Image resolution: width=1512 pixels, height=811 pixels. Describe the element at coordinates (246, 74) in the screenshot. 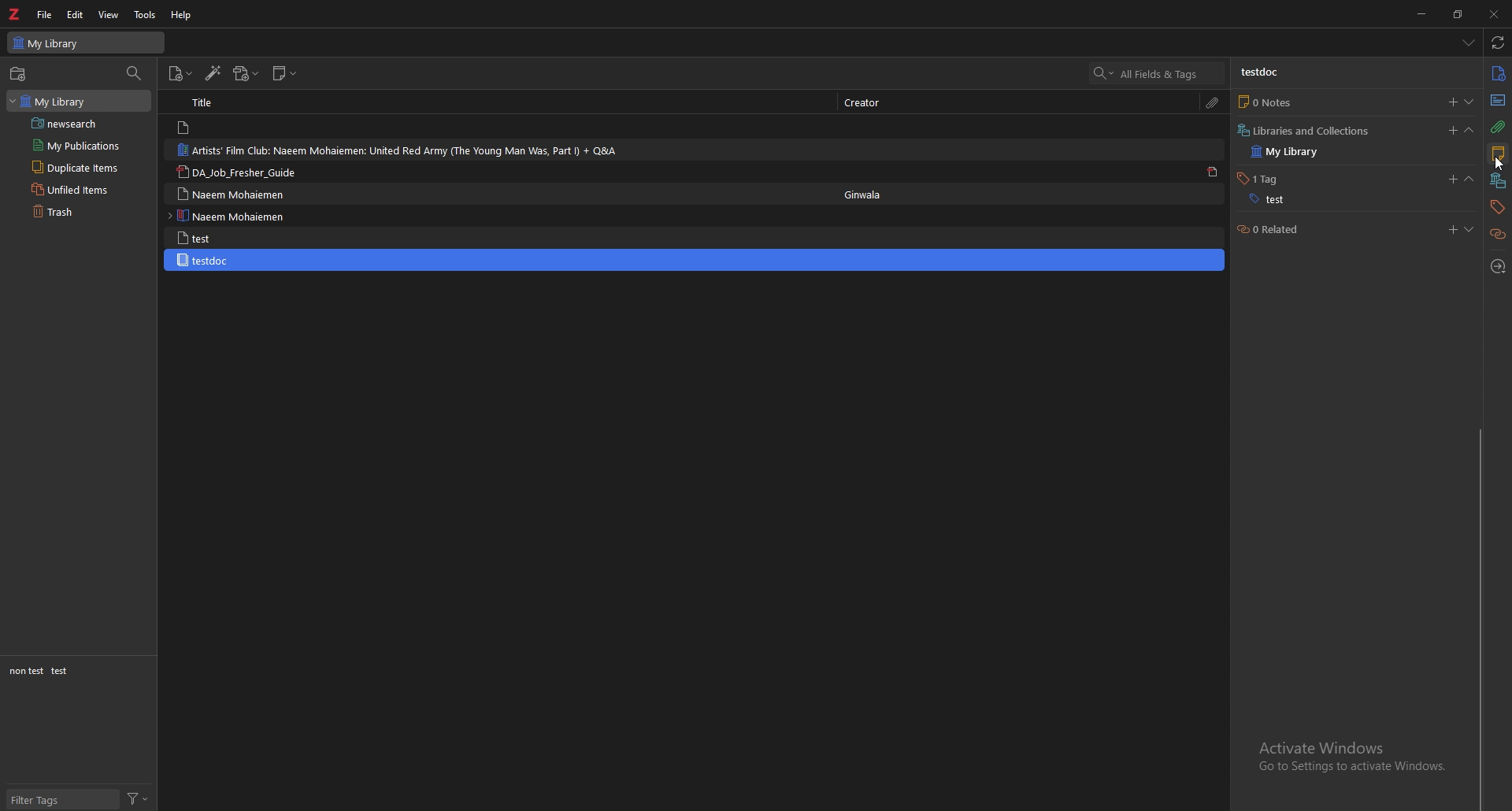

I see `add attachments` at that location.